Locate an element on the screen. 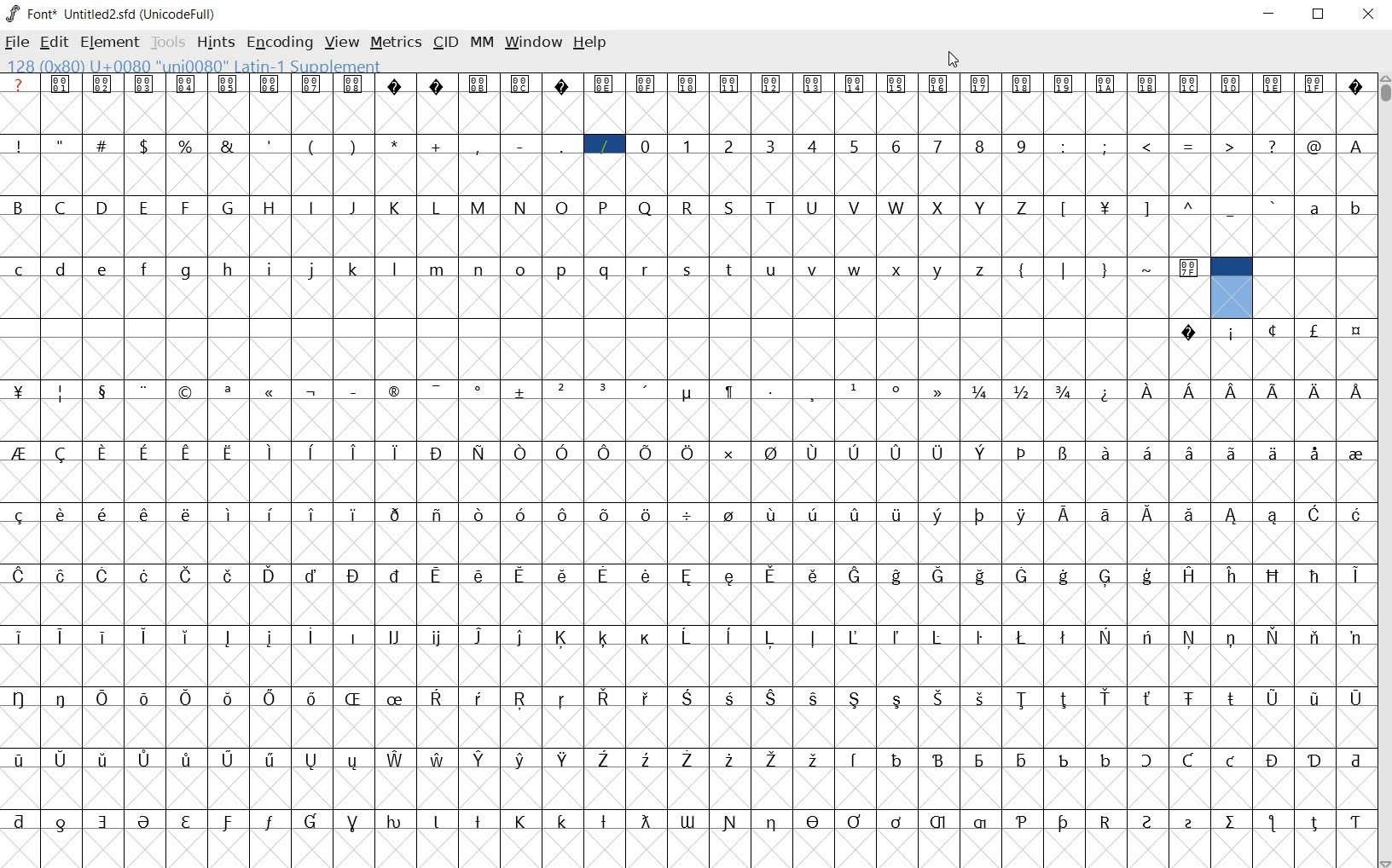 The height and width of the screenshot is (868, 1392). Symbol is located at coordinates (187, 84).